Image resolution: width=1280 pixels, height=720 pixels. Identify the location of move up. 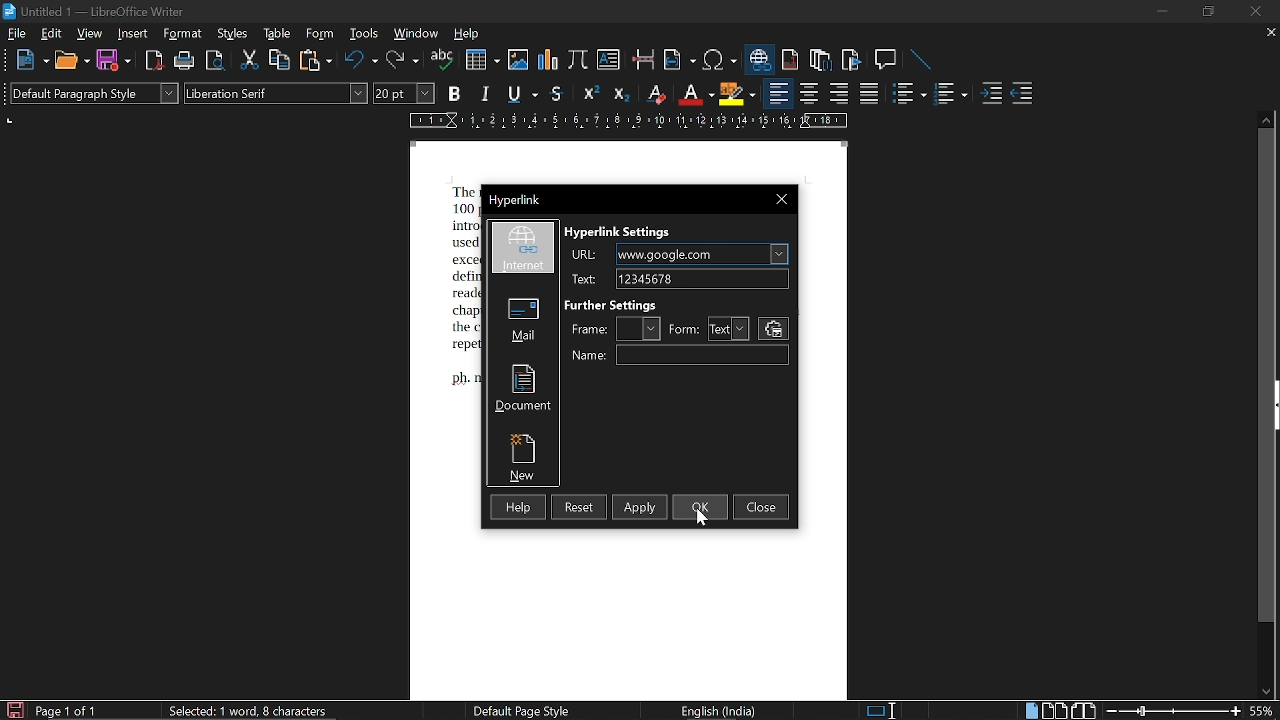
(1265, 119).